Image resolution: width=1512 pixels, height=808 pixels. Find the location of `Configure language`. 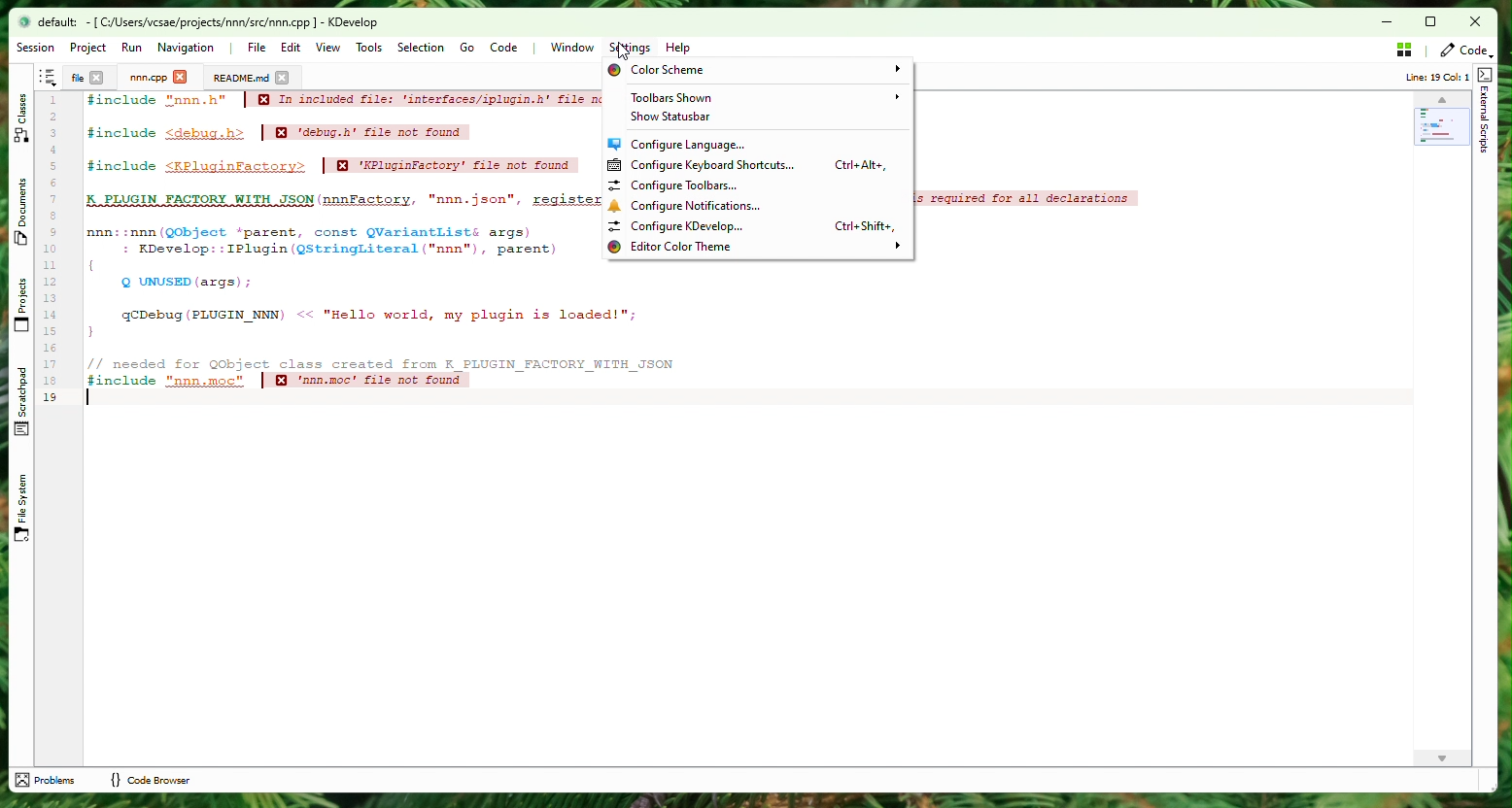

Configure language is located at coordinates (736, 145).